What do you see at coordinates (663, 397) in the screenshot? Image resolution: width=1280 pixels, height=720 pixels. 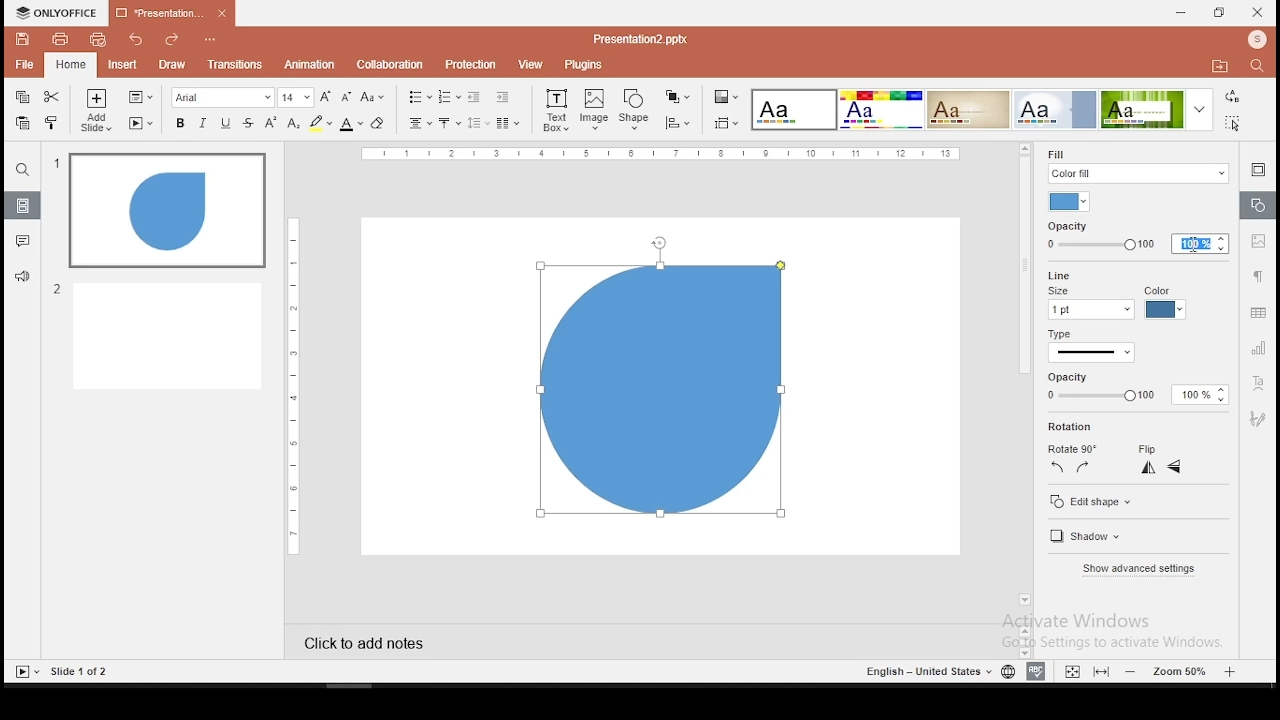 I see `shape` at bounding box center [663, 397].